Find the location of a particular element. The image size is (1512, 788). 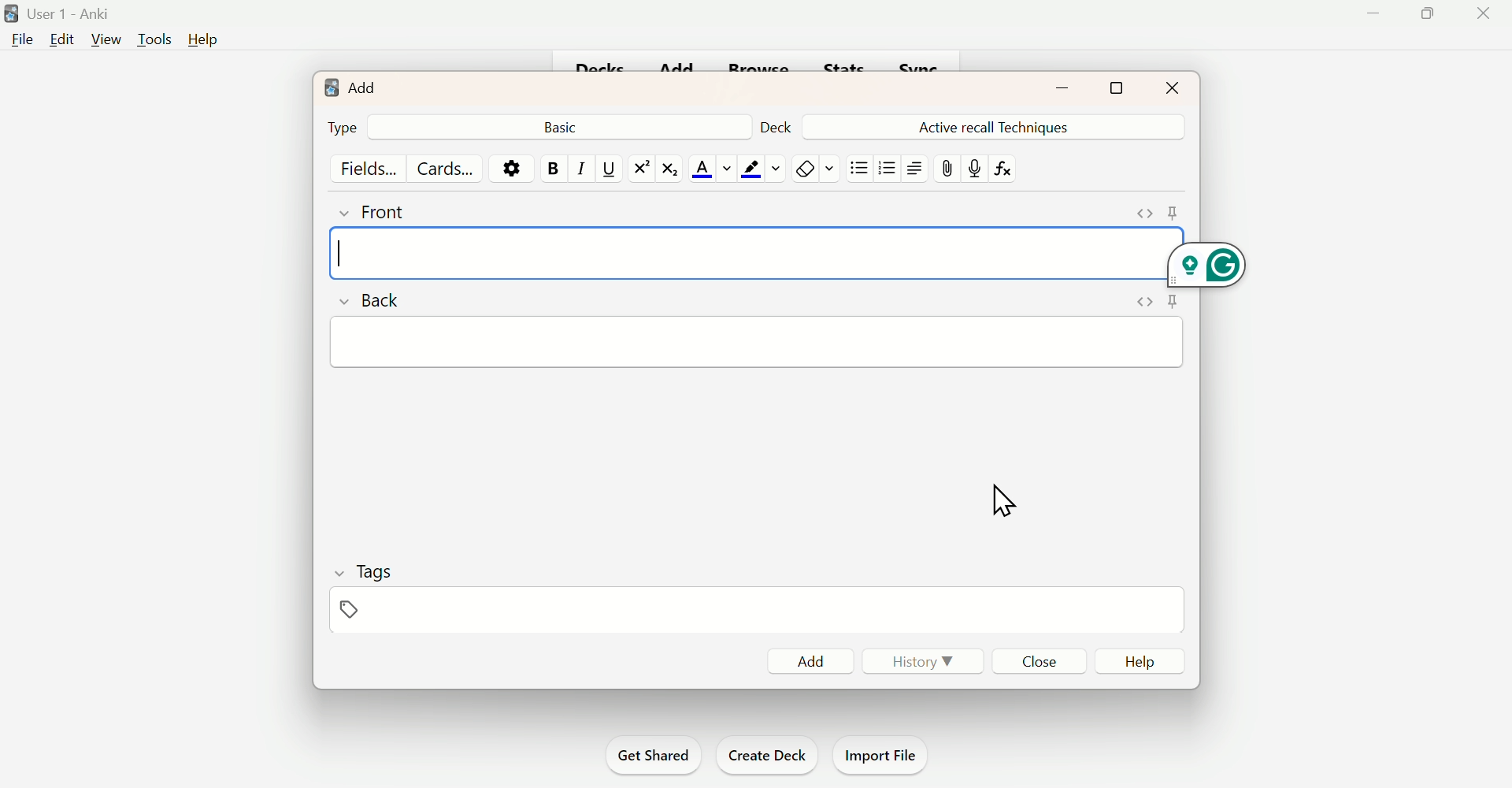

Import File is located at coordinates (884, 755).